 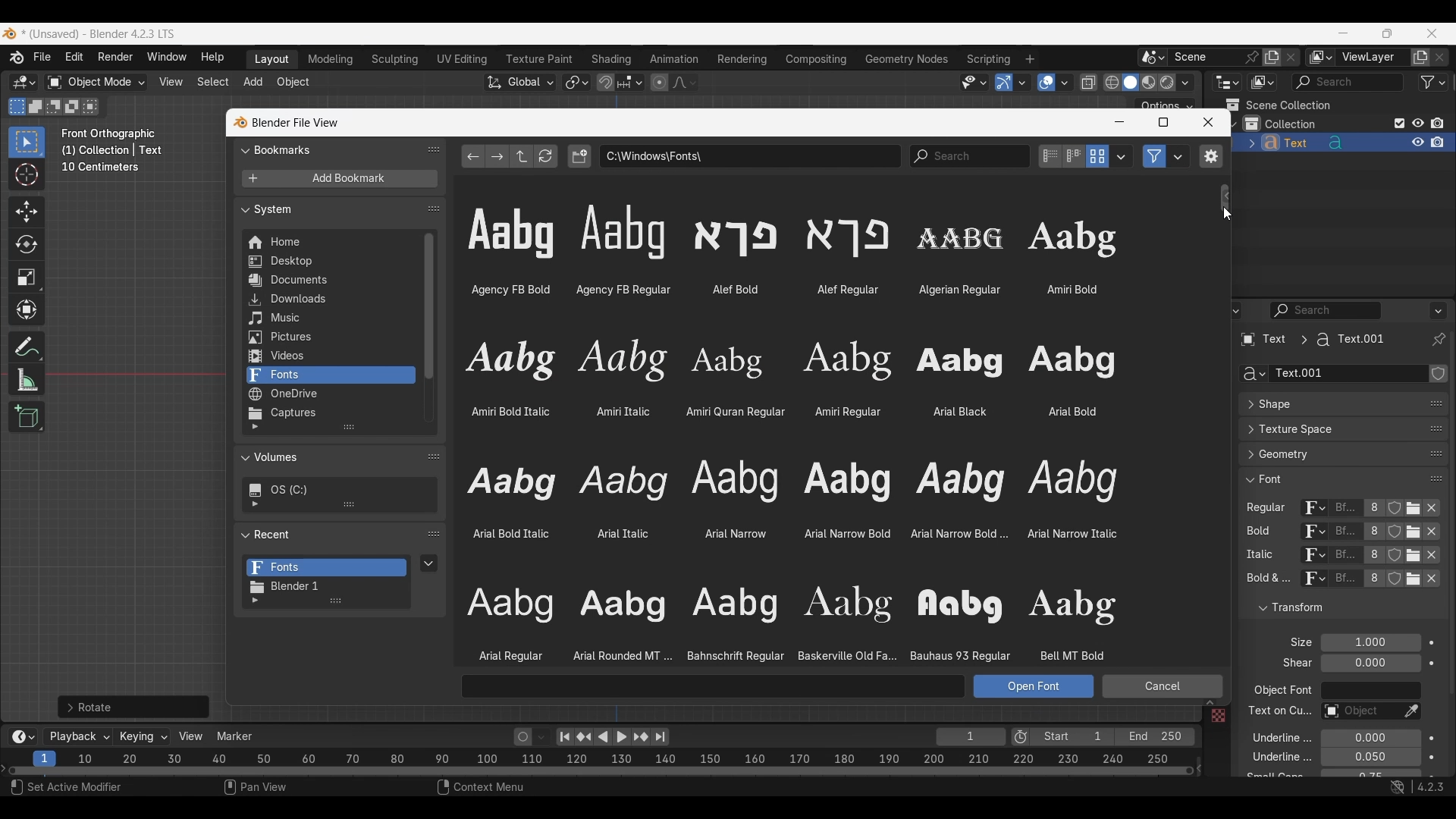 What do you see at coordinates (685, 82) in the screenshot?
I see `Proportional editing falloff` at bounding box center [685, 82].